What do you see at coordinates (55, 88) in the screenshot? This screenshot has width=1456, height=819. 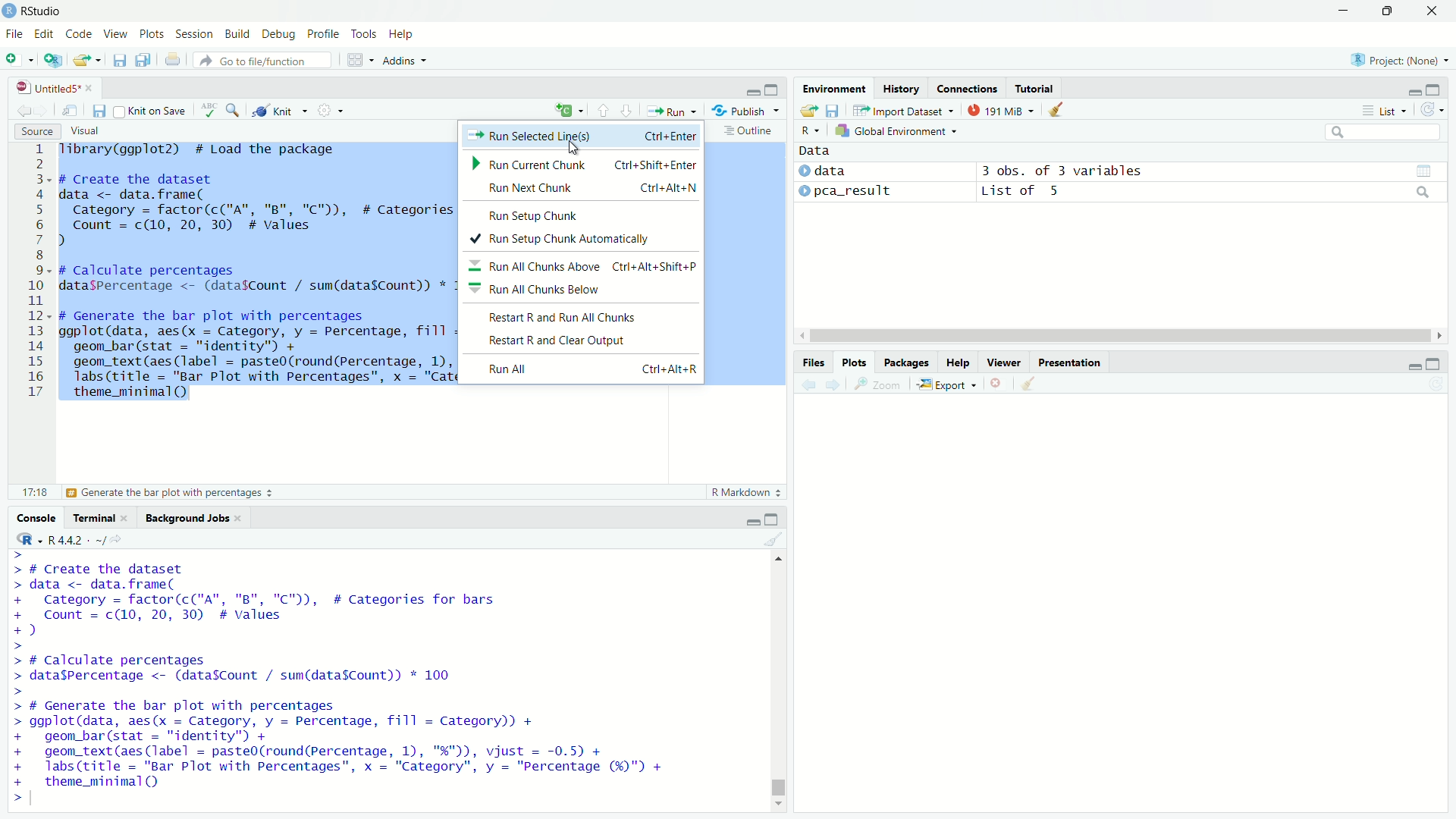 I see `file name: untitled5` at bounding box center [55, 88].